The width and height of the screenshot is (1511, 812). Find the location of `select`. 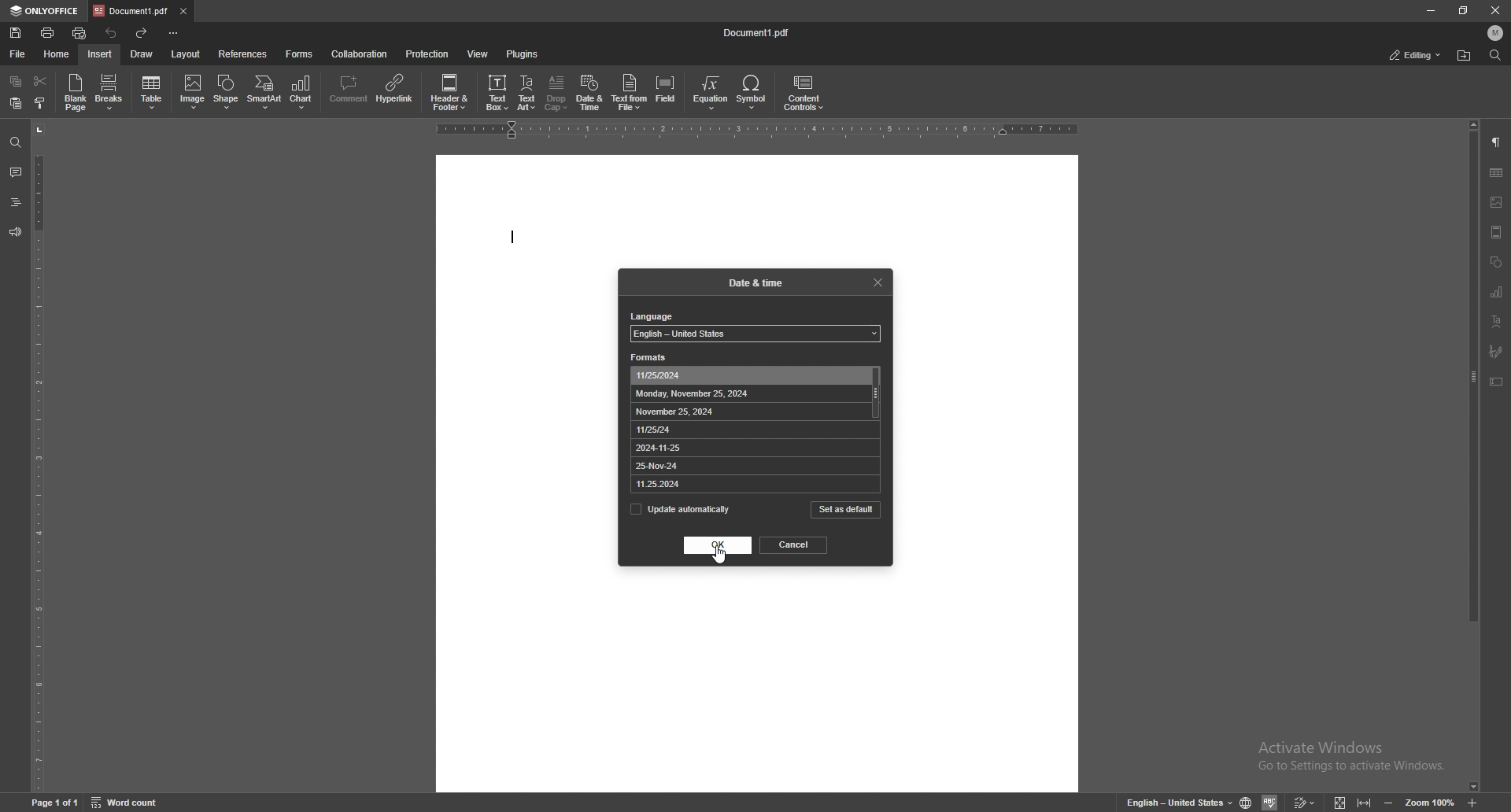

select is located at coordinates (40, 103).